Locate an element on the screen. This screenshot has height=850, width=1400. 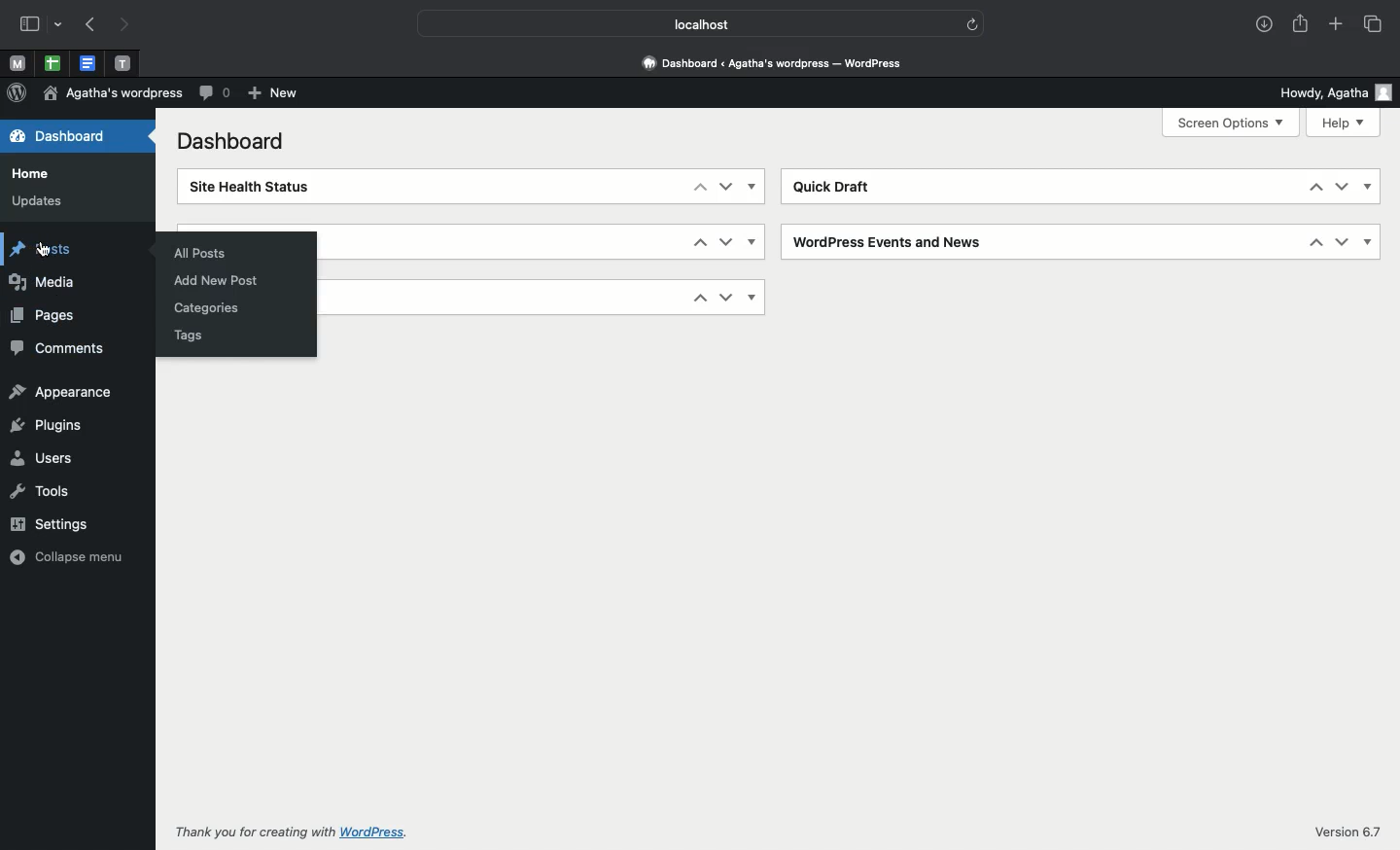
Tabs is located at coordinates (1372, 23).